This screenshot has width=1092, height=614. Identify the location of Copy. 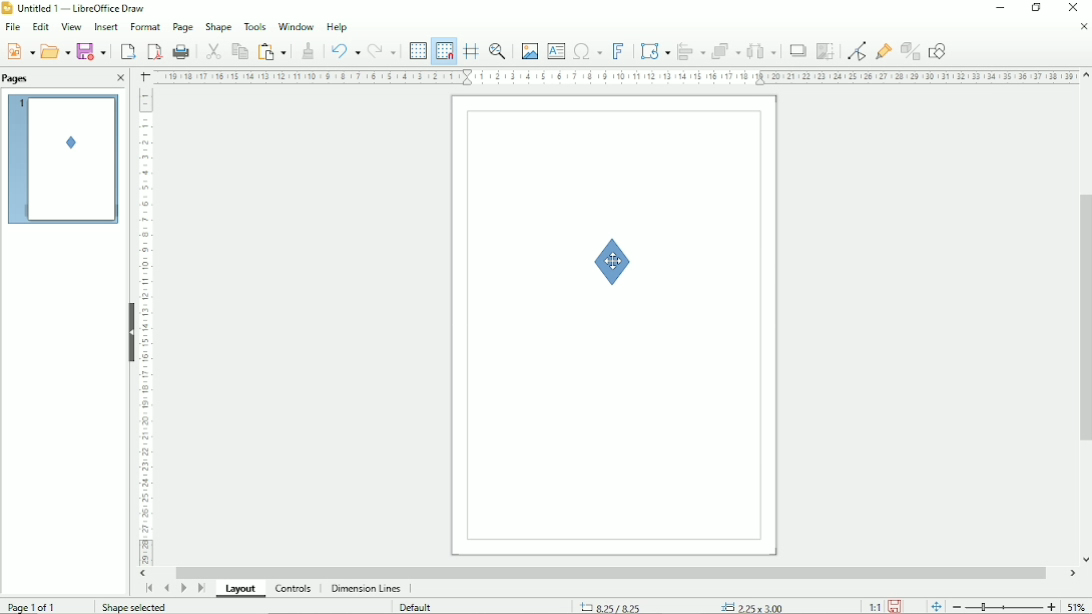
(239, 50).